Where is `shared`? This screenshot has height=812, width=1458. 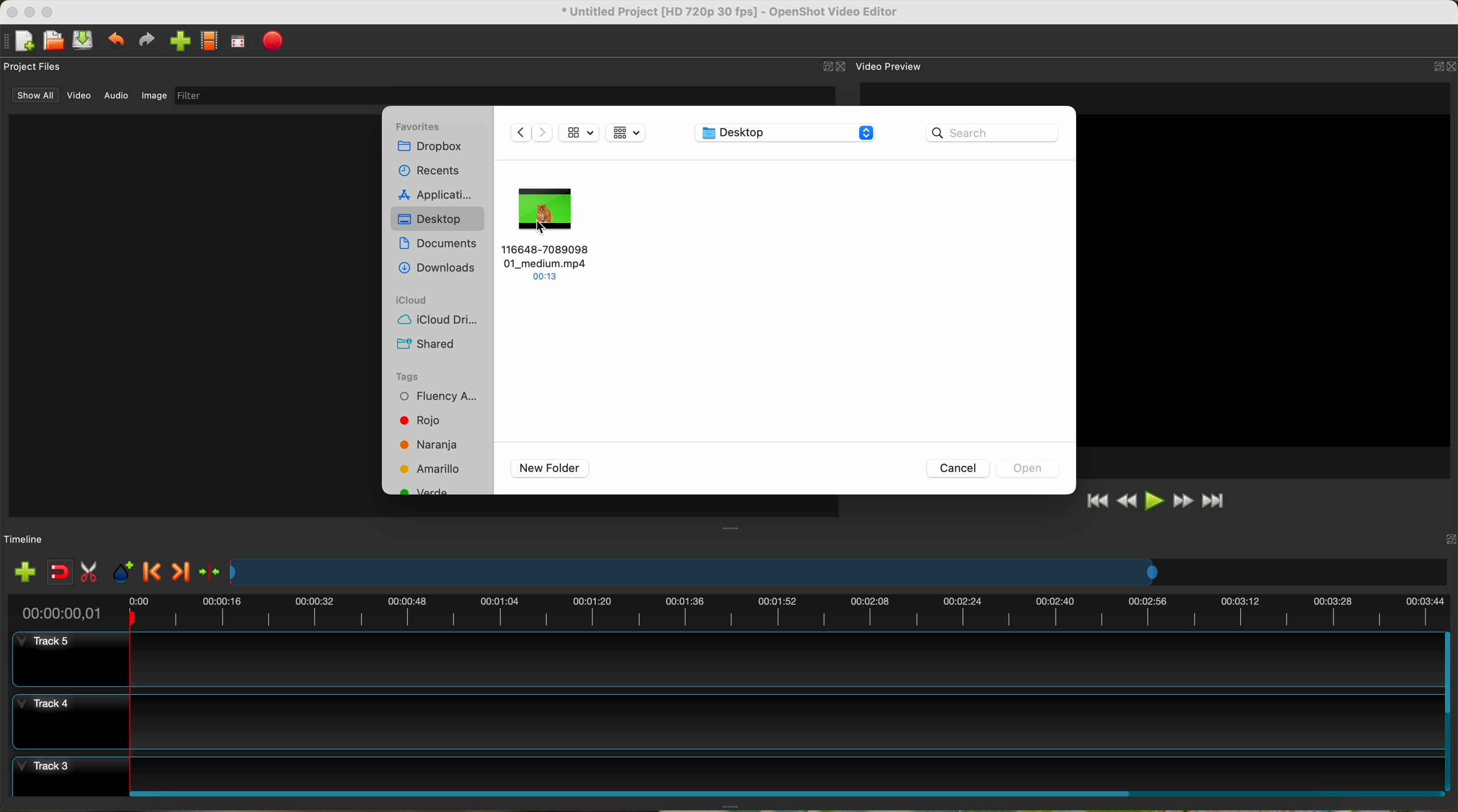
shared is located at coordinates (426, 345).